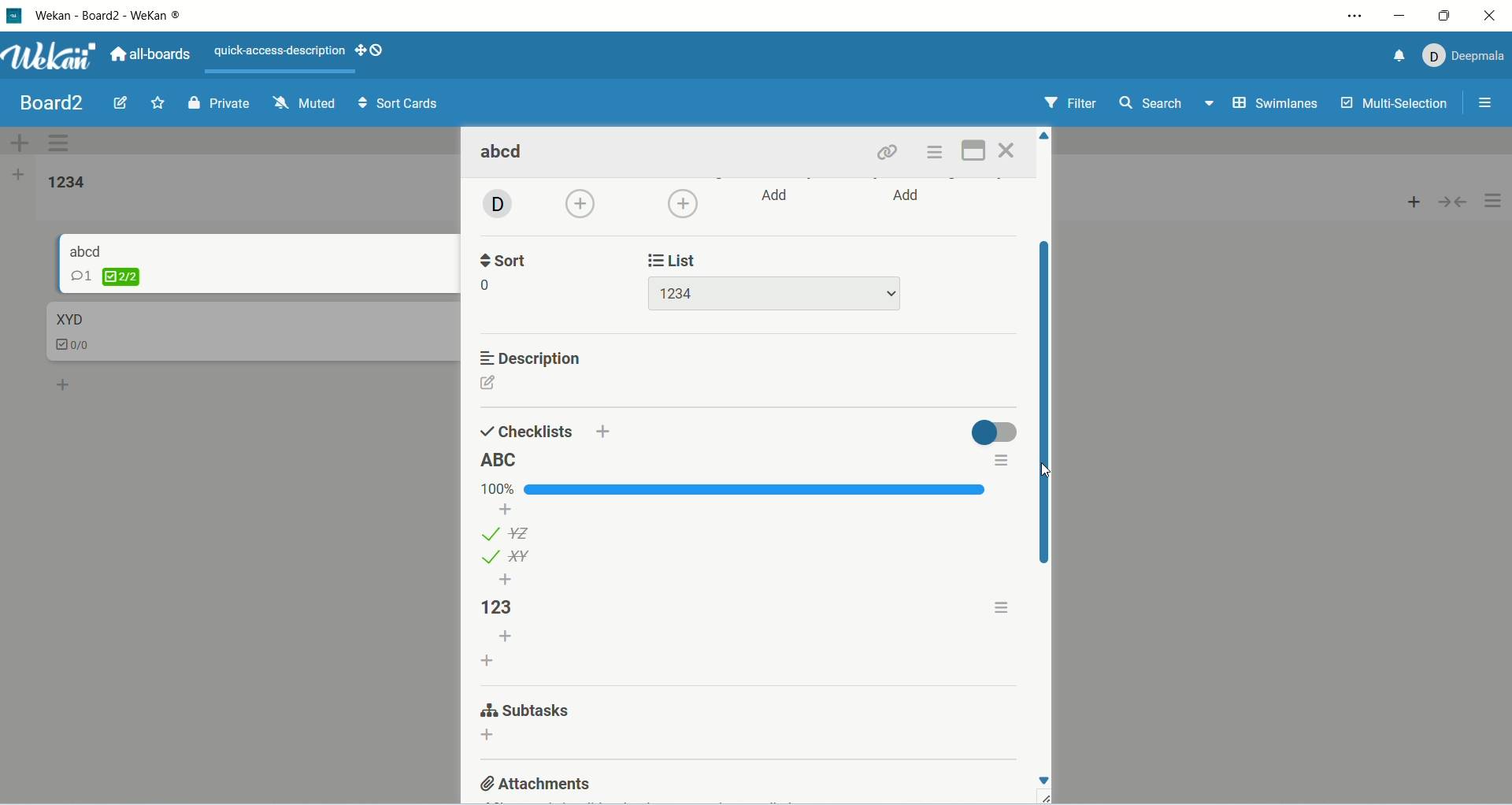  What do you see at coordinates (524, 712) in the screenshot?
I see `subtasks` at bounding box center [524, 712].